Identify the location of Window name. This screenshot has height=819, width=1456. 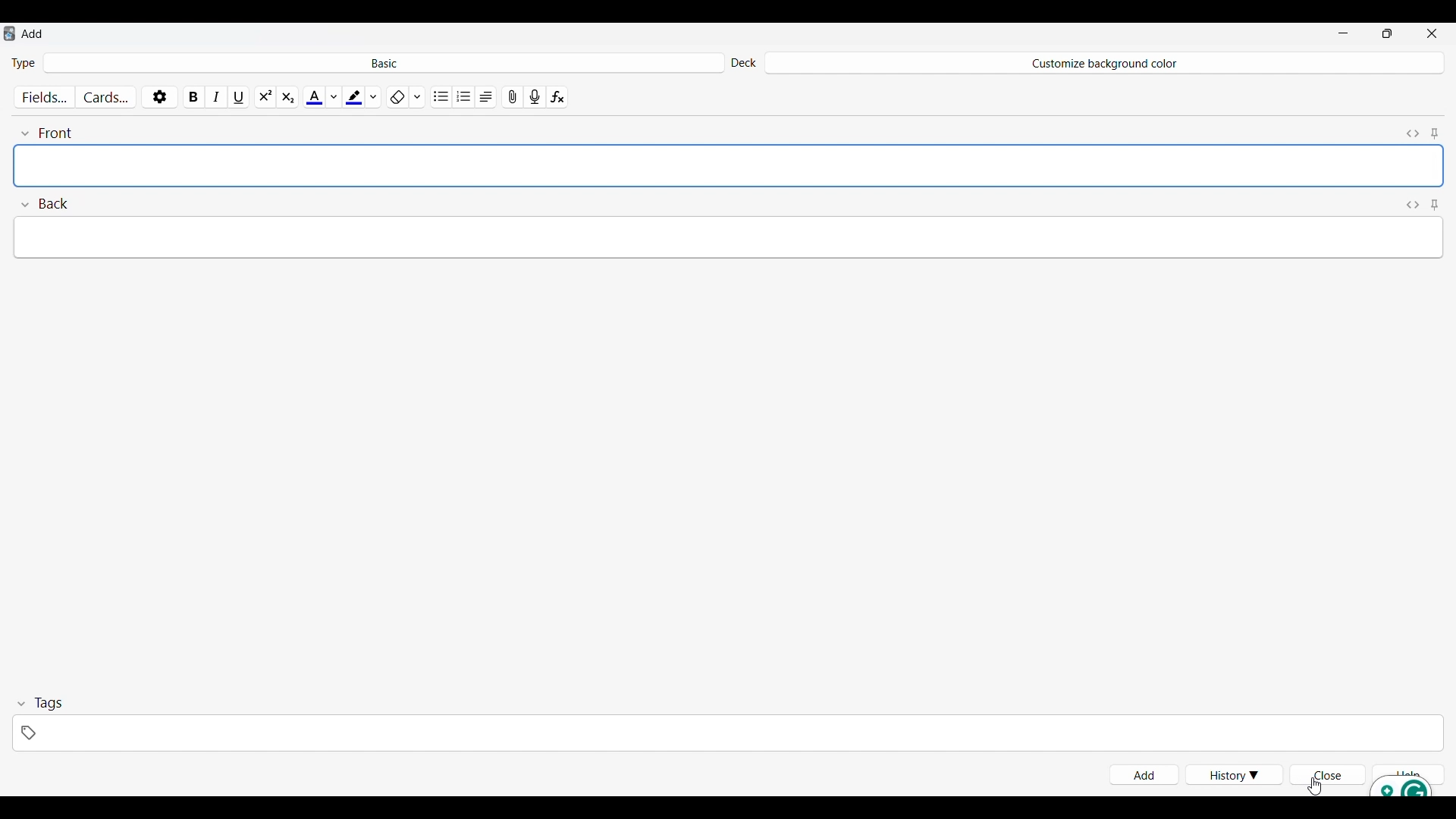
(33, 33).